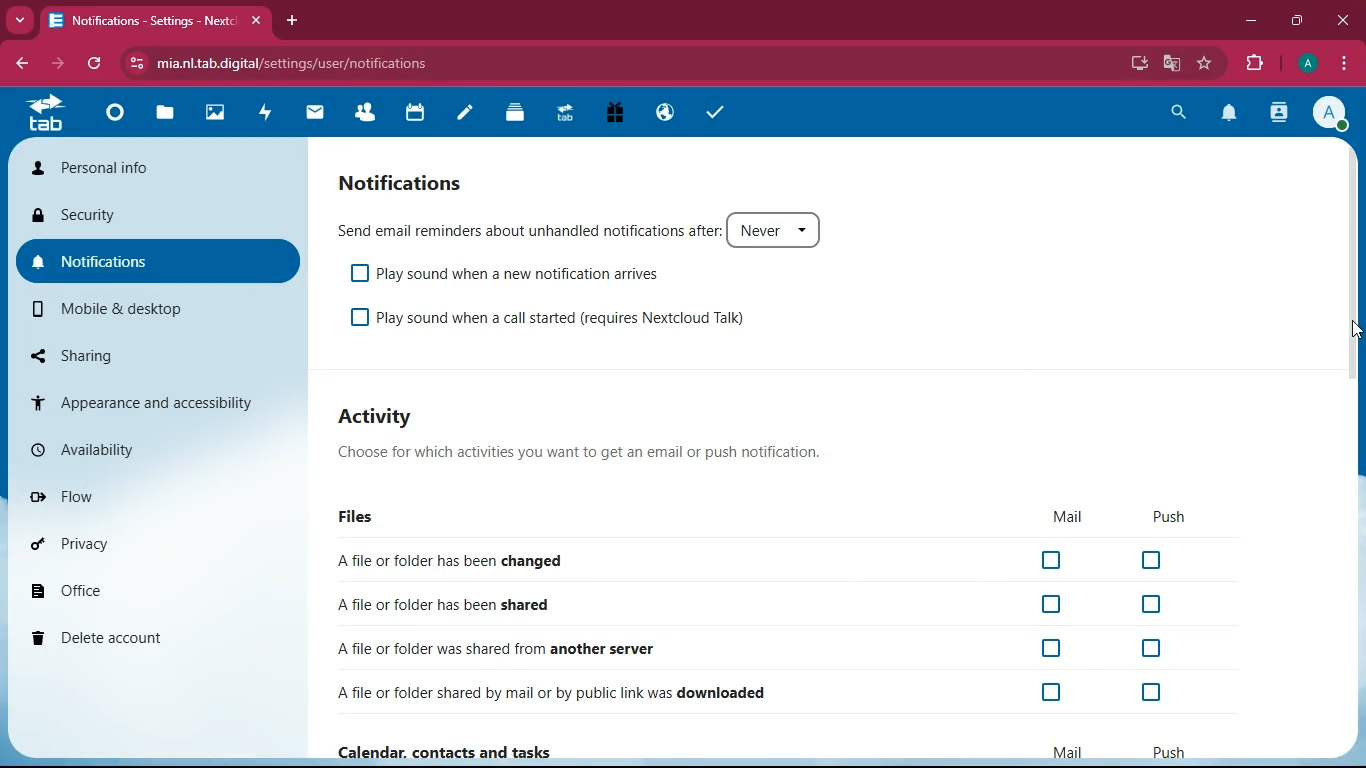 This screenshot has height=768, width=1366. What do you see at coordinates (1340, 21) in the screenshot?
I see `close` at bounding box center [1340, 21].